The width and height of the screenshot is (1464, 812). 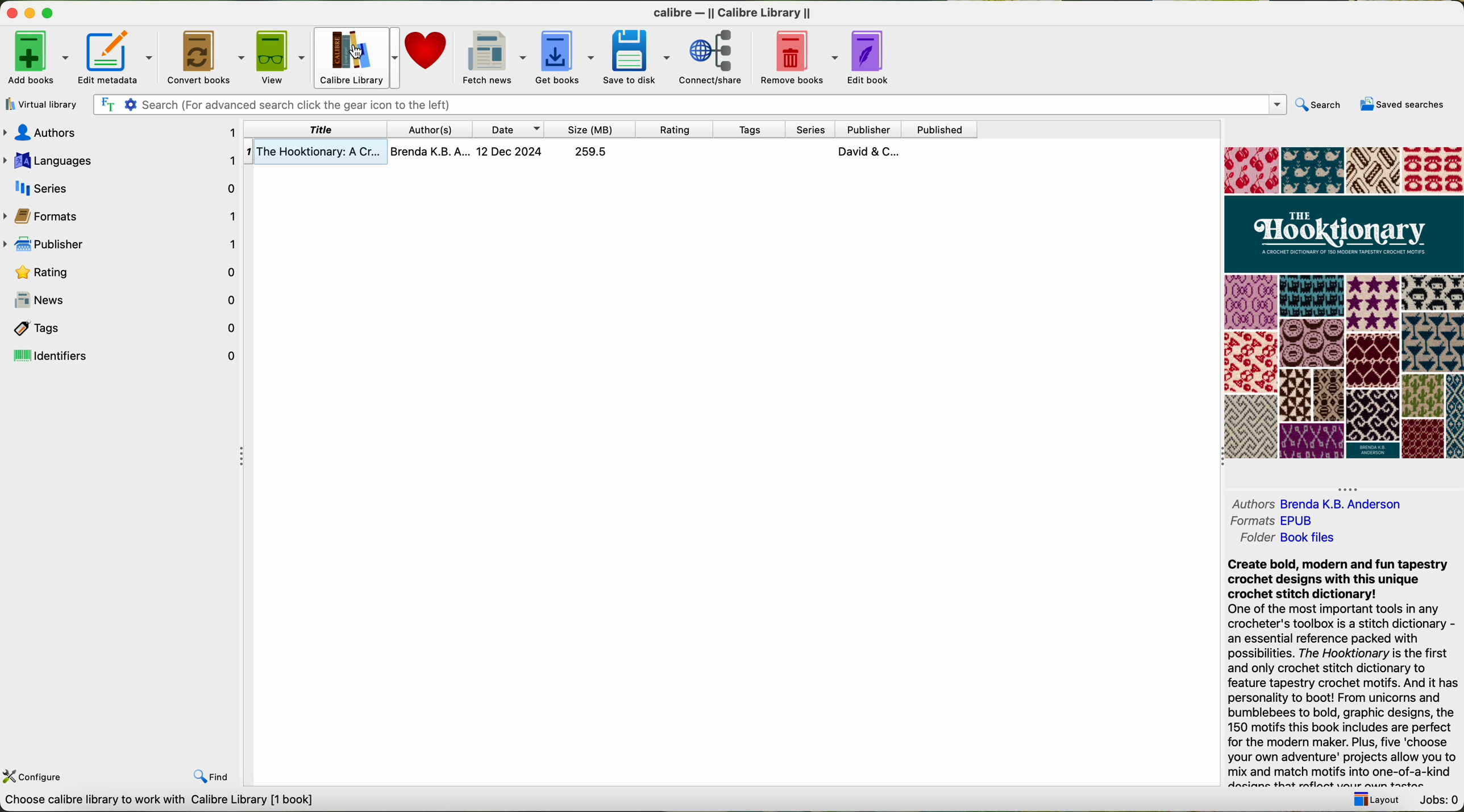 I want to click on add books, so click(x=36, y=57).